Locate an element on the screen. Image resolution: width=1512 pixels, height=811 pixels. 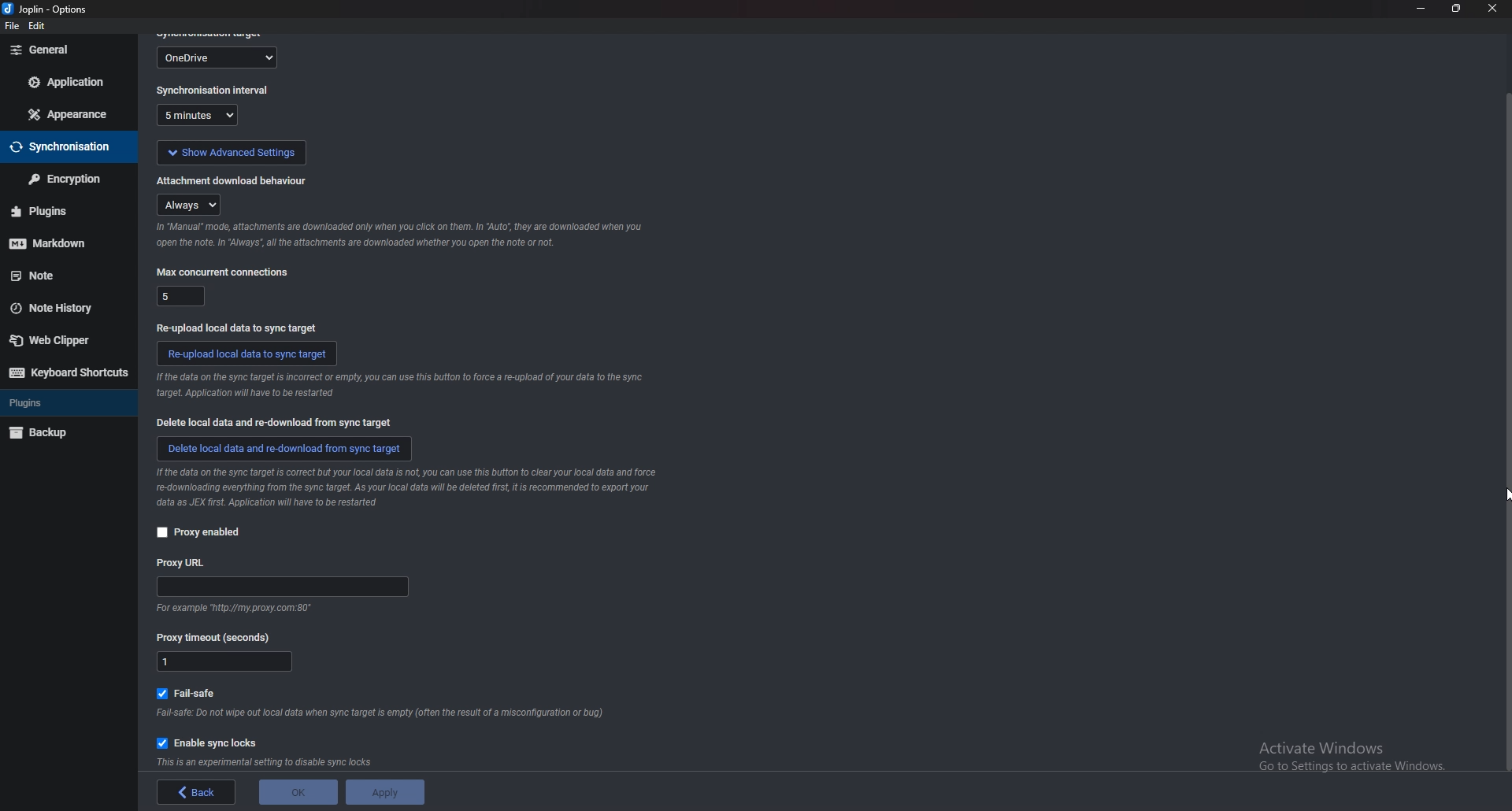
cursor is located at coordinates (1505, 494).